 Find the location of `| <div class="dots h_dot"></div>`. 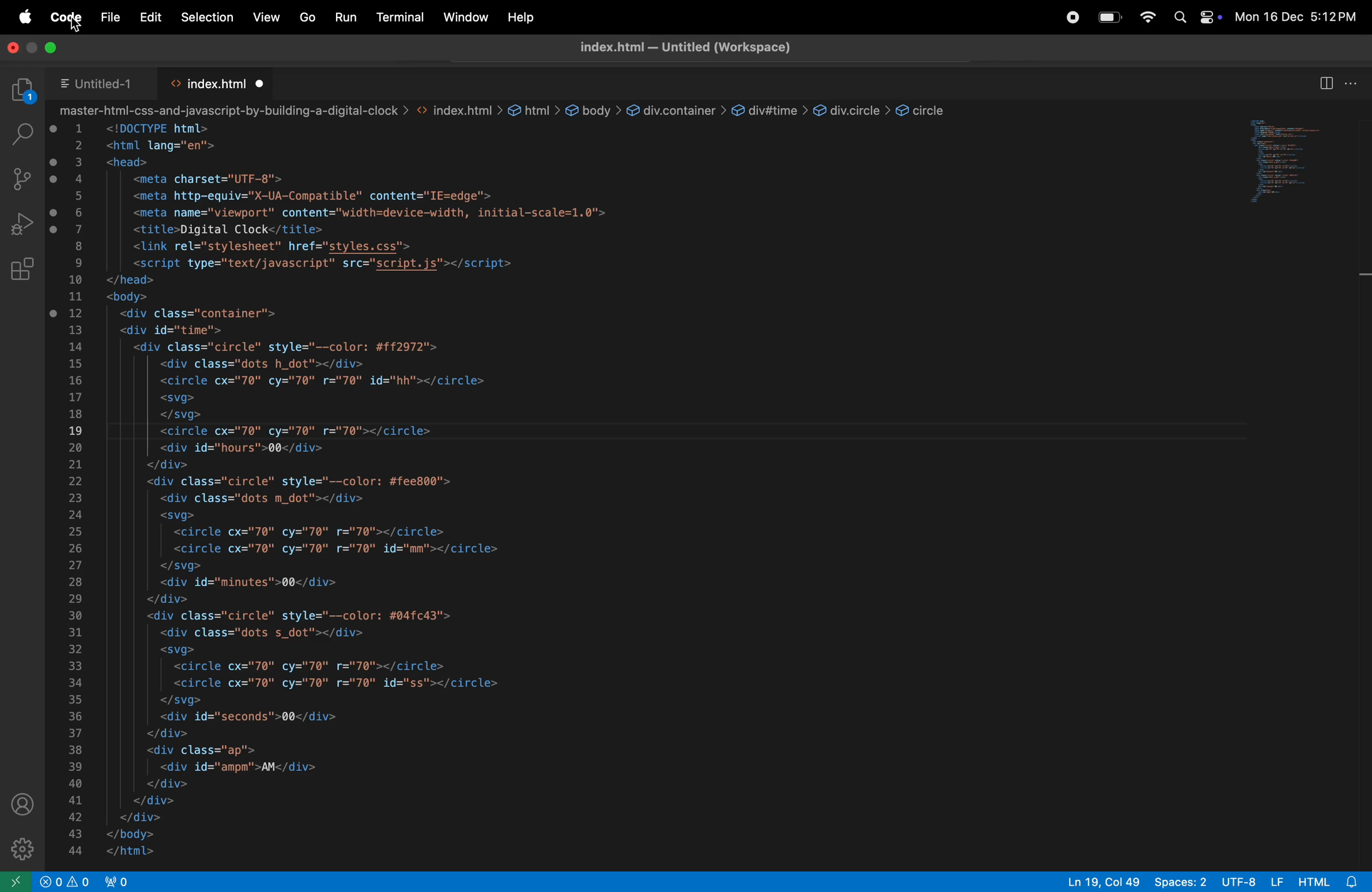

| <div class="dots h_dot"></div> is located at coordinates (259, 365).